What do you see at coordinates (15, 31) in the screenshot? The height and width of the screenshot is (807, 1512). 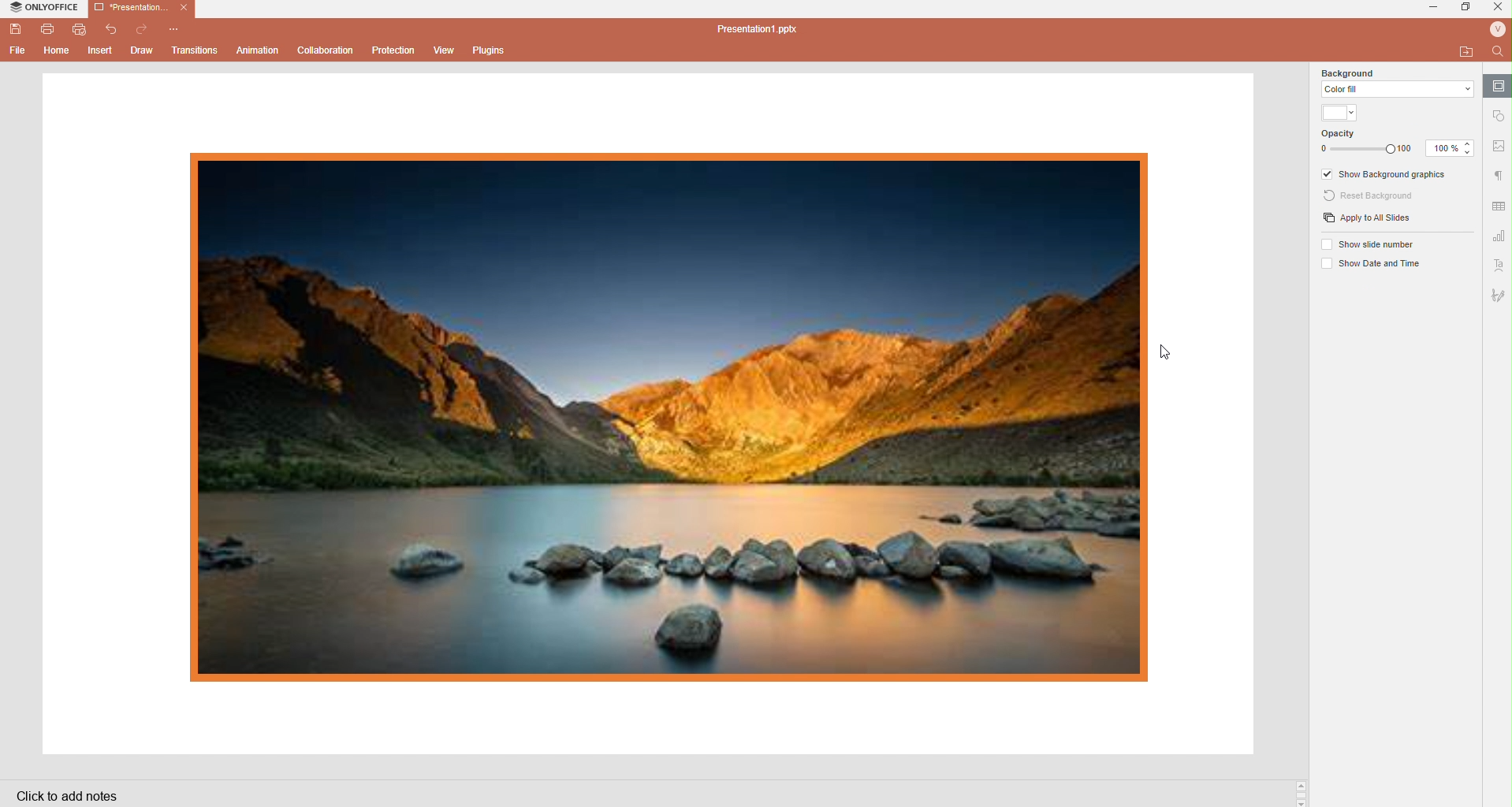 I see `Save file` at bounding box center [15, 31].